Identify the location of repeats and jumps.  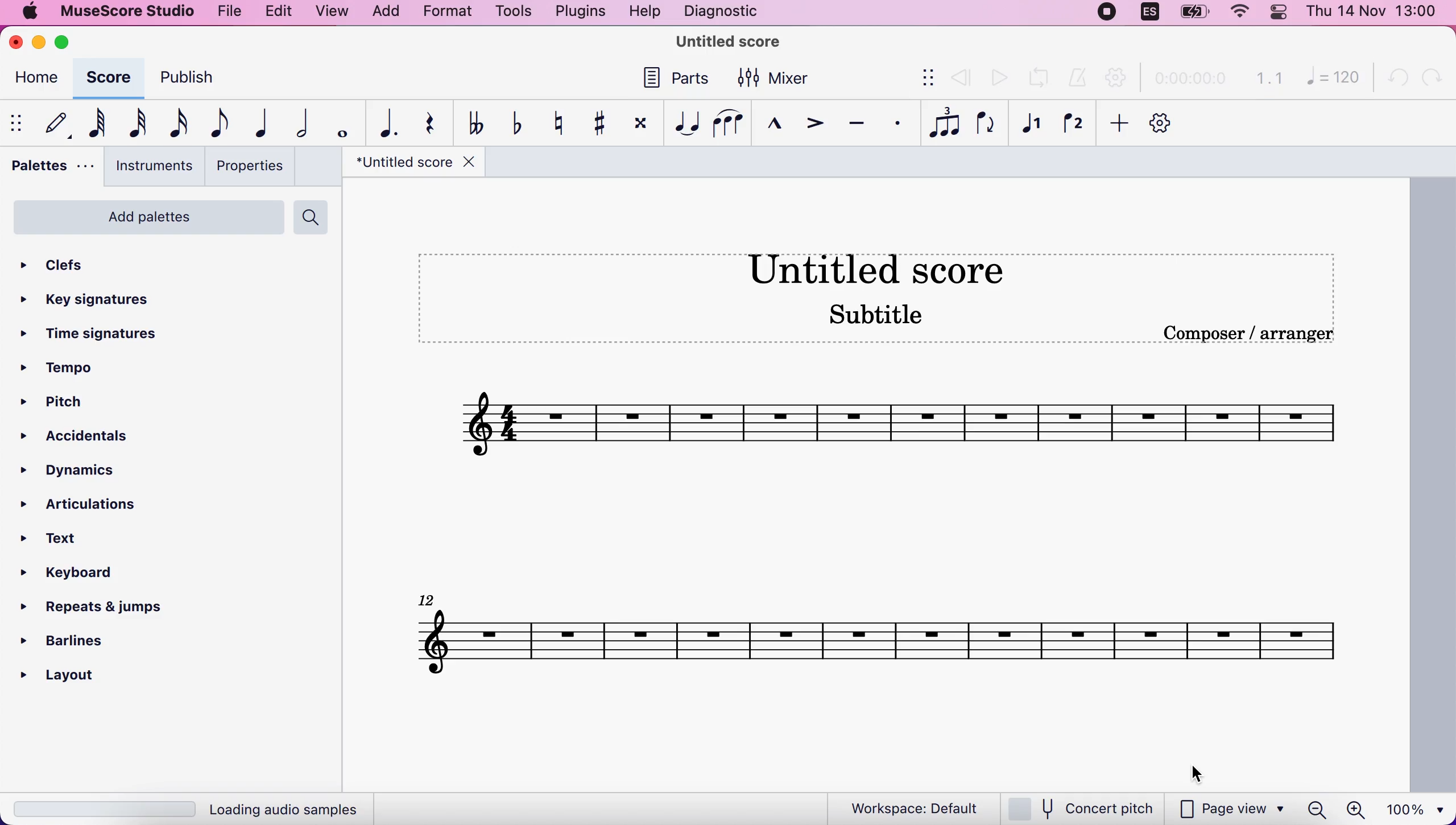
(97, 608).